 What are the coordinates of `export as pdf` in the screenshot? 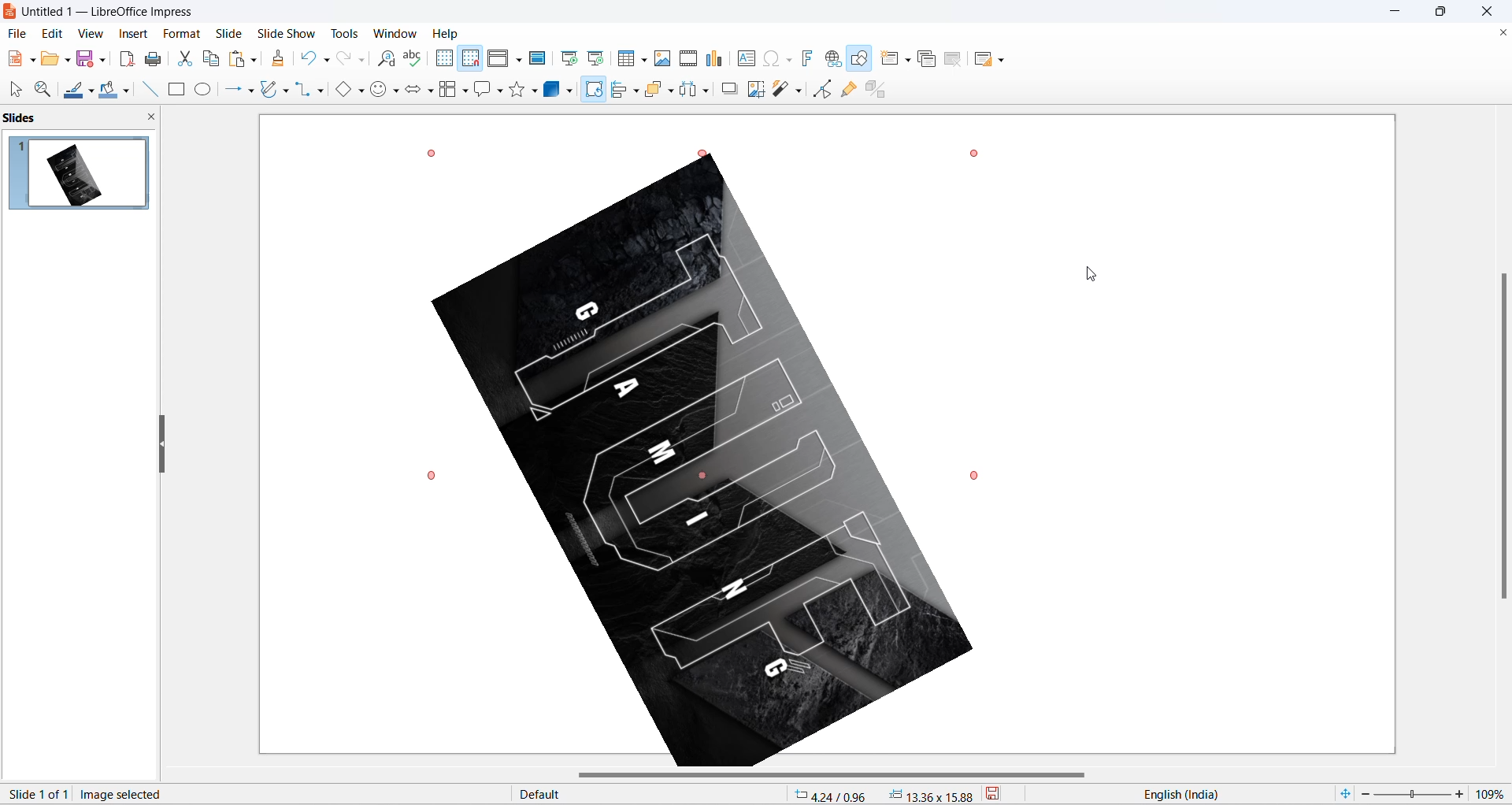 It's located at (126, 57).